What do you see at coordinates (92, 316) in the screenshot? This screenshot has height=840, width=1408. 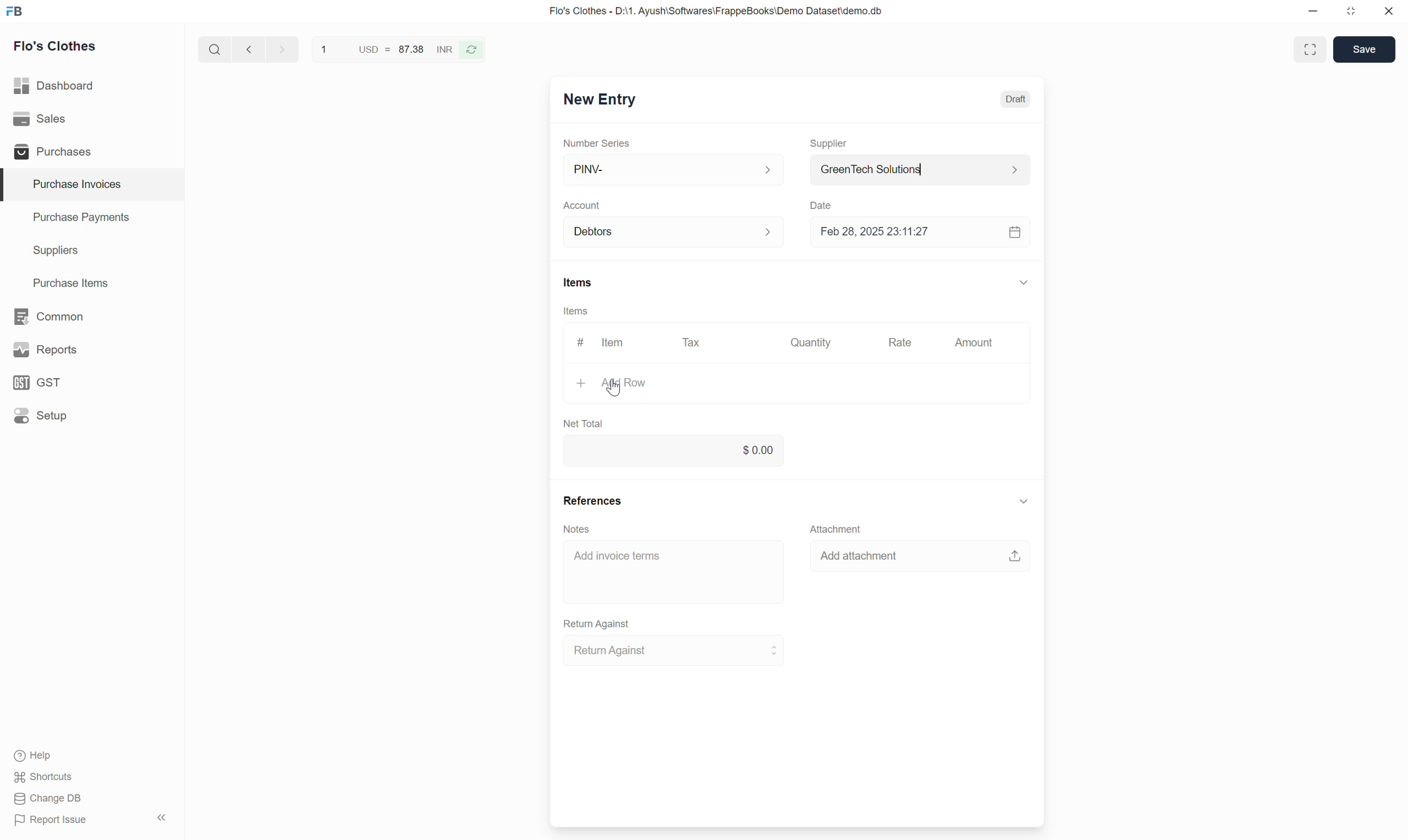 I see `Common` at bounding box center [92, 316].